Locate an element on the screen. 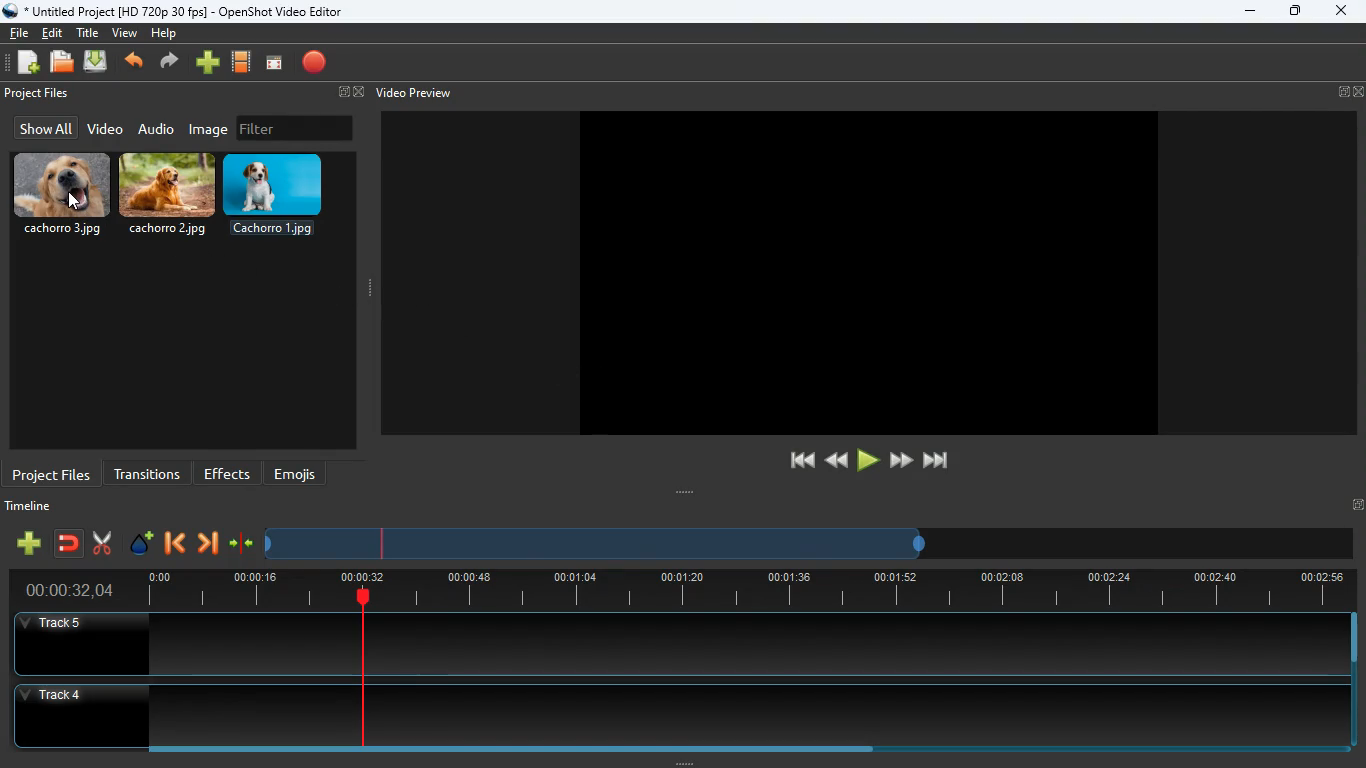 Image resolution: width=1366 pixels, height=768 pixels. film is located at coordinates (242, 63).